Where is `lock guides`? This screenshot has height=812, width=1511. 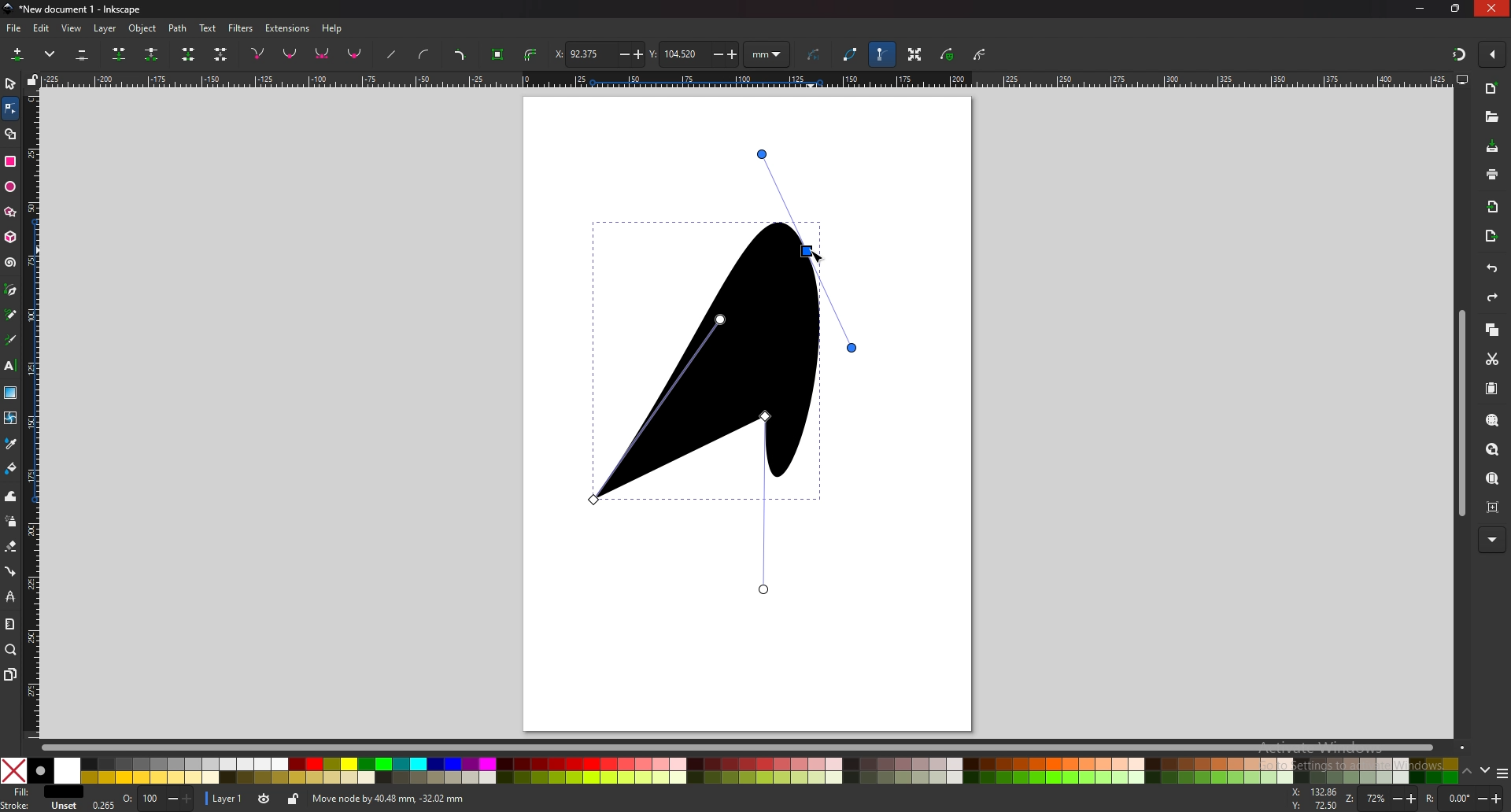 lock guides is located at coordinates (32, 79).